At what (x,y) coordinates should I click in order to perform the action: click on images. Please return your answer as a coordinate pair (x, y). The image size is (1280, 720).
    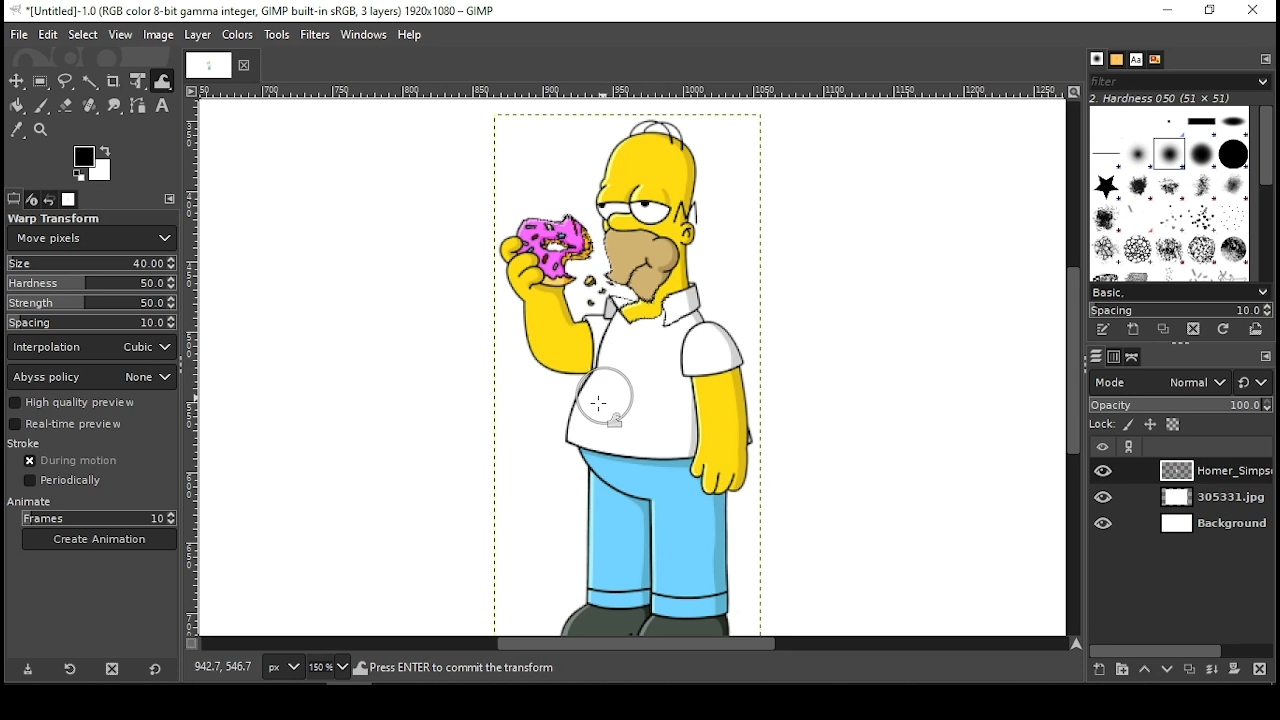
    Looking at the image, I should click on (68, 200).